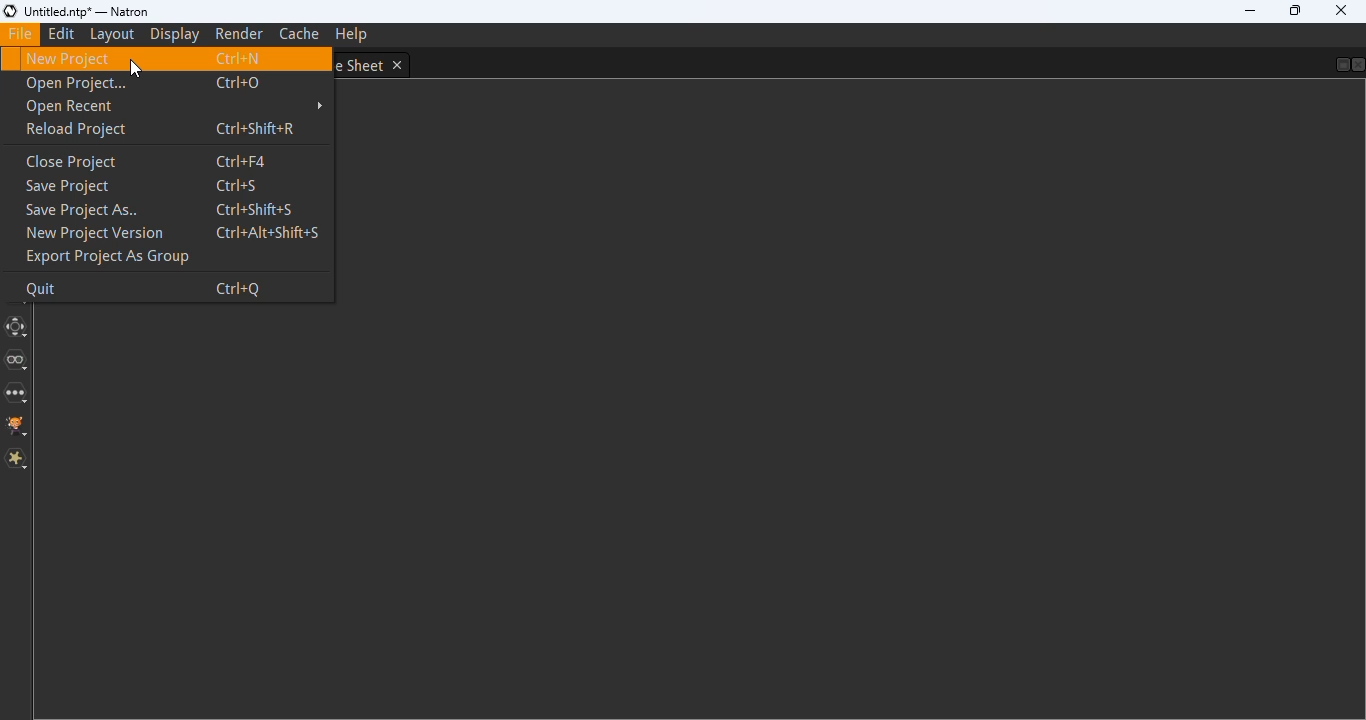 The height and width of the screenshot is (720, 1366). What do you see at coordinates (174, 211) in the screenshot?
I see `save project as` at bounding box center [174, 211].